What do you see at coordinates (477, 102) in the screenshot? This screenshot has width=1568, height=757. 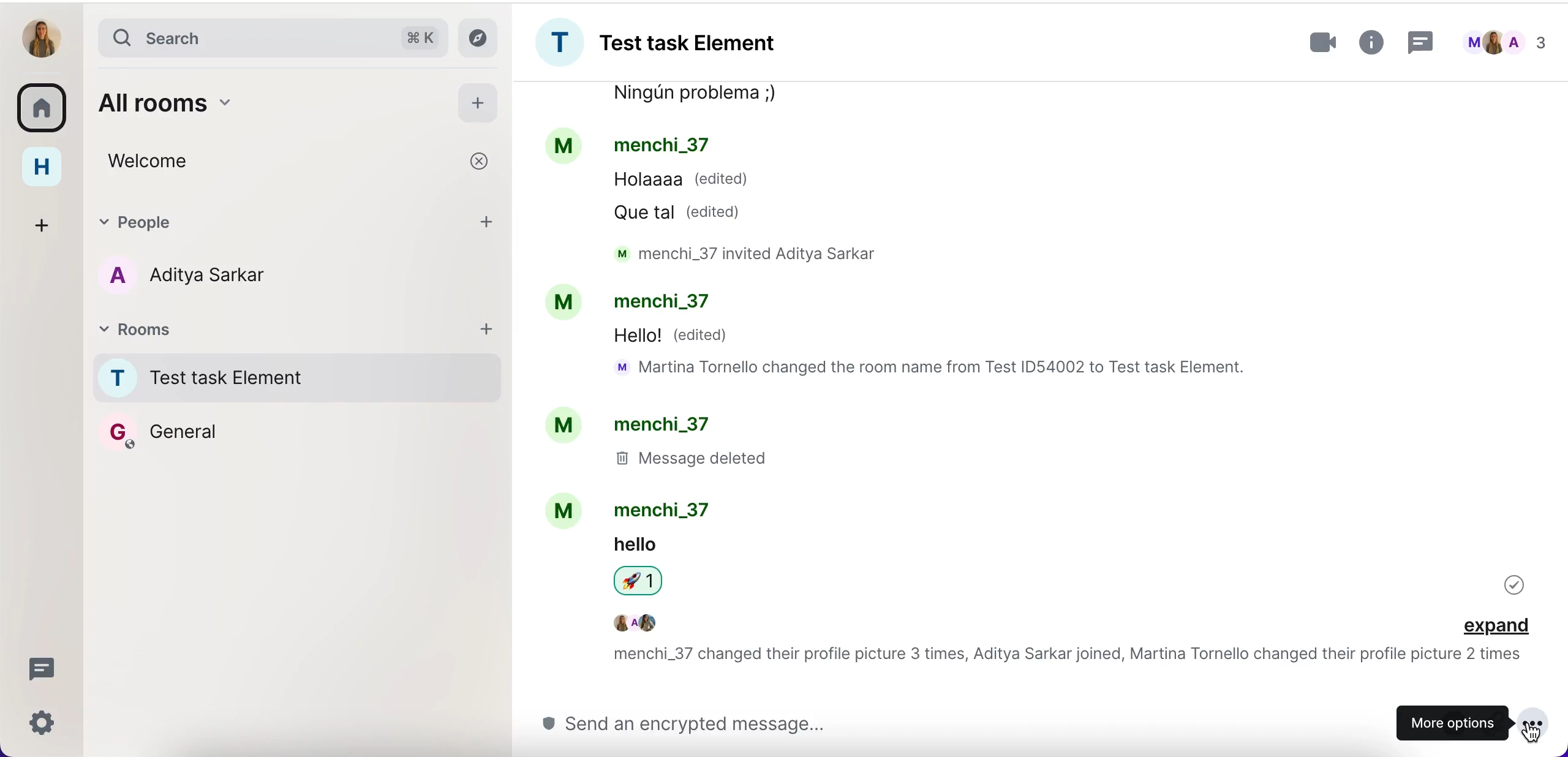 I see `add` at bounding box center [477, 102].